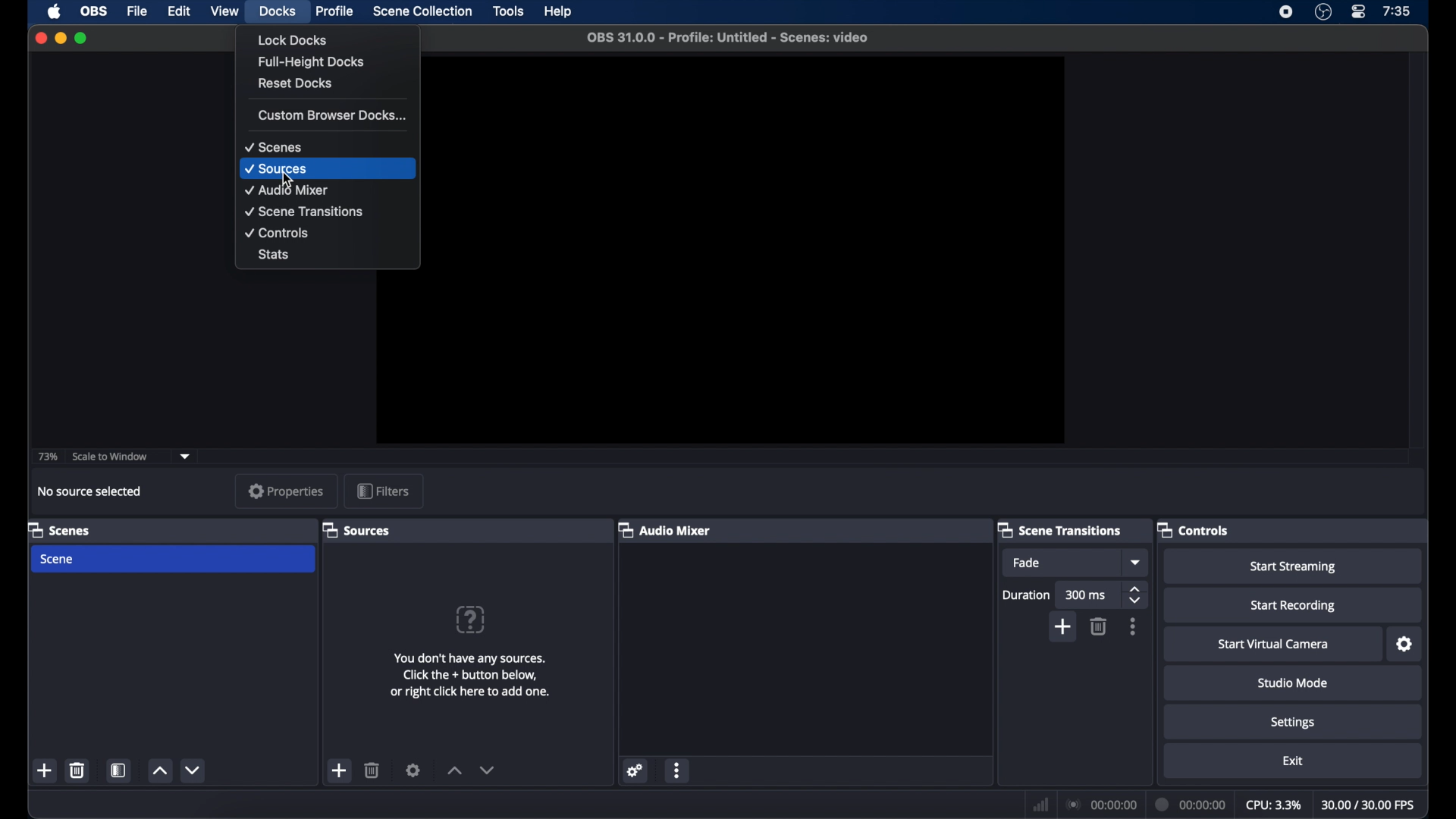 The image size is (1456, 819). Describe the element at coordinates (1273, 805) in the screenshot. I see `cpu 3.3%` at that location.